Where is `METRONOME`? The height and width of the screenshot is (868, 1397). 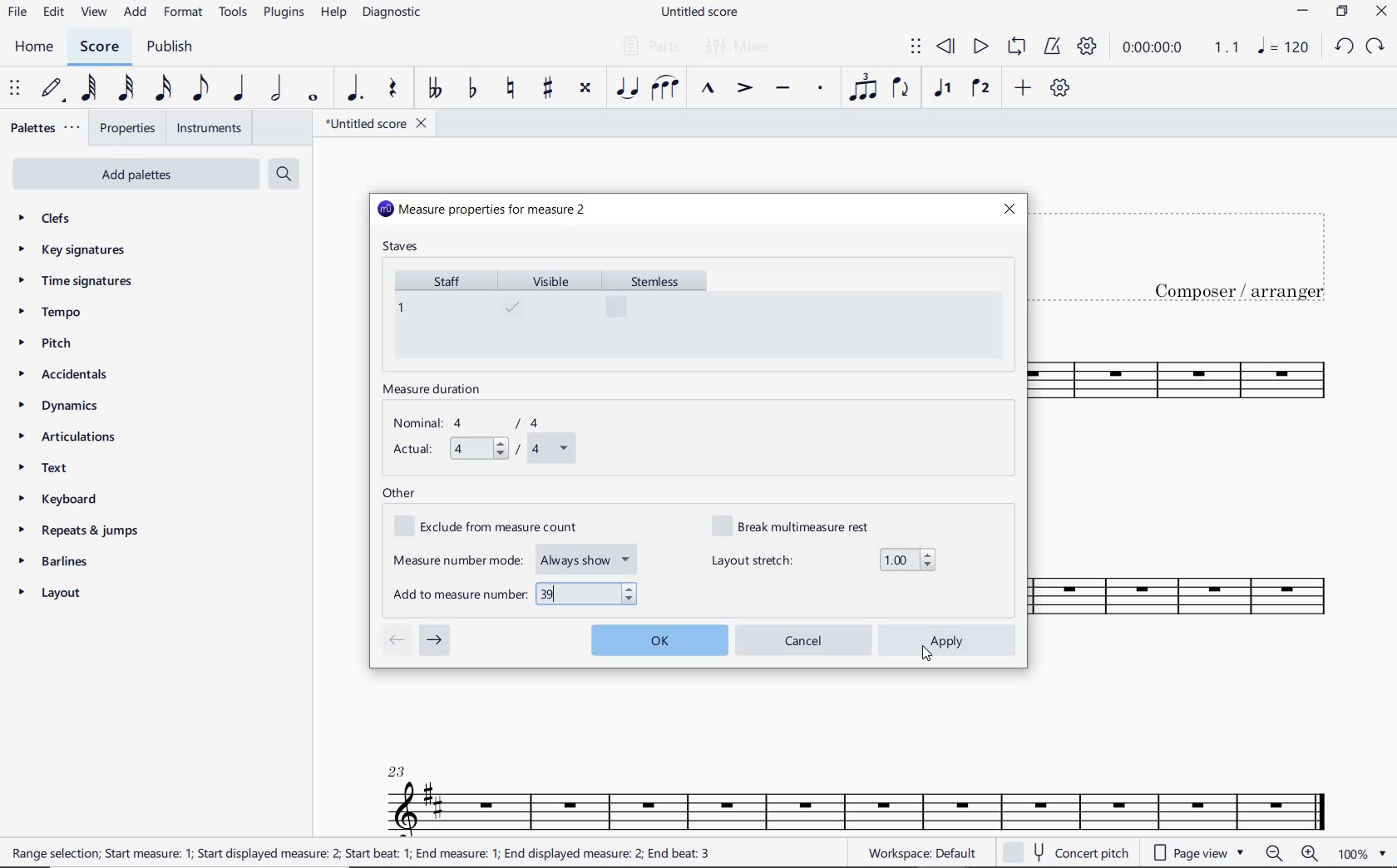
METRONOME is located at coordinates (1052, 47).